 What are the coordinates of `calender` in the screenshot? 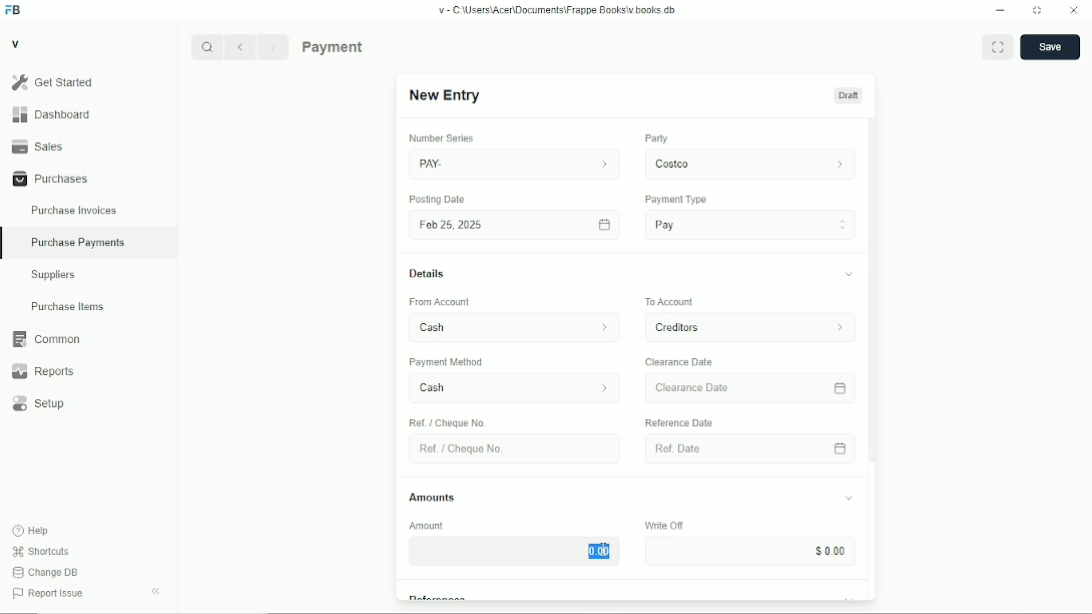 It's located at (842, 448).